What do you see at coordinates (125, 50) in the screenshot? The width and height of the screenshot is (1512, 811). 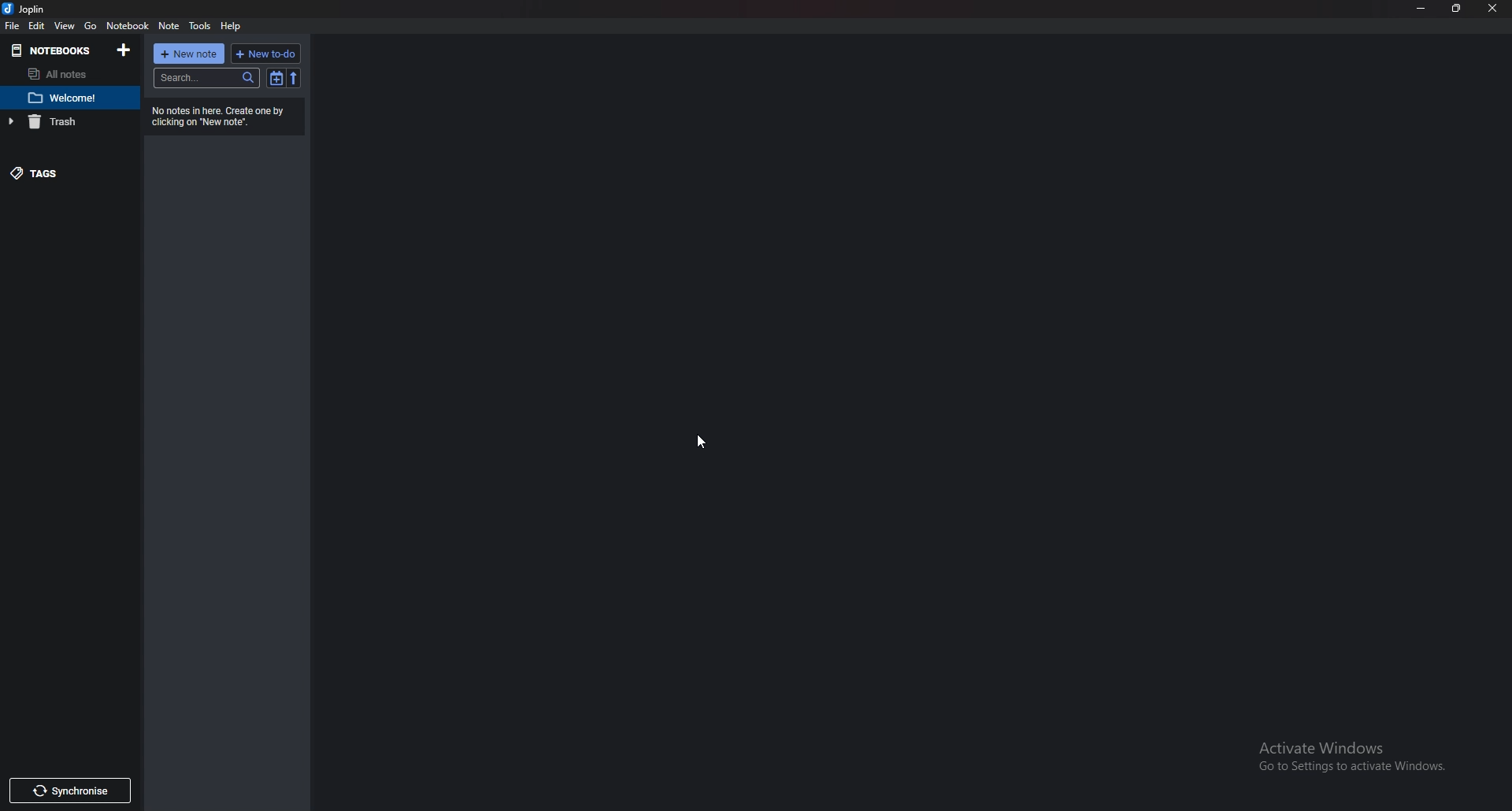 I see `Add notebooks` at bounding box center [125, 50].